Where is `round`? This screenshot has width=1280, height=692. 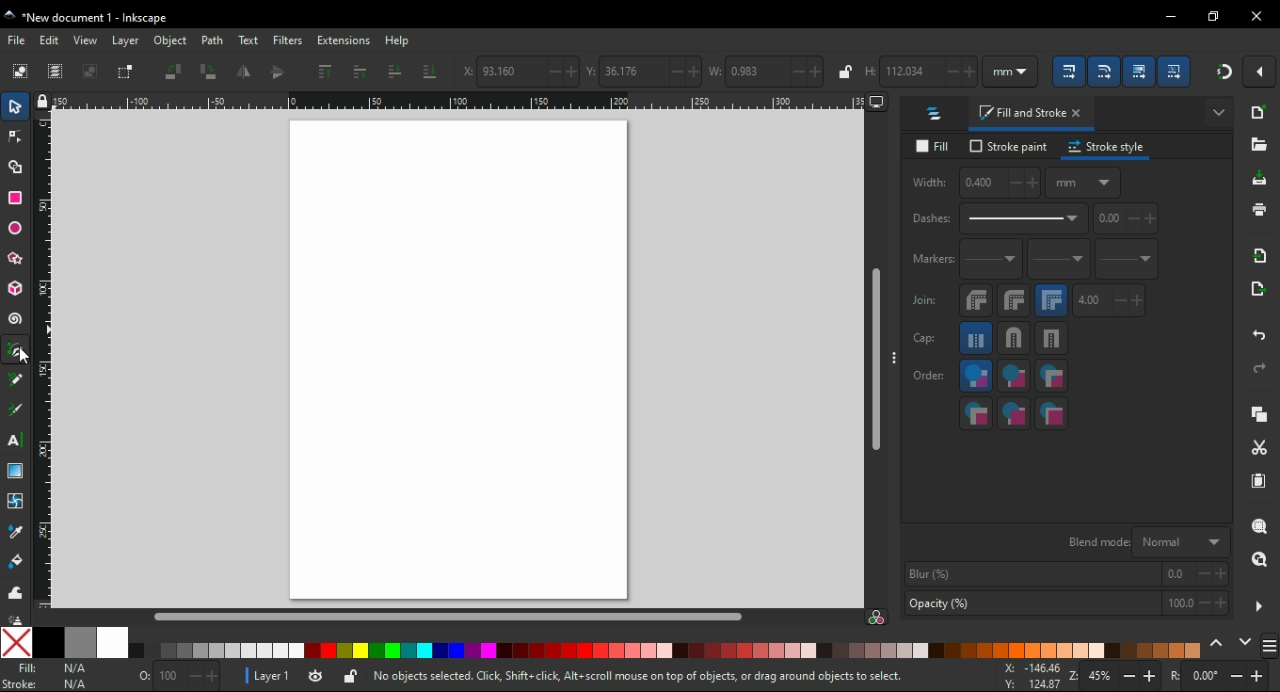 round is located at coordinates (1014, 300).